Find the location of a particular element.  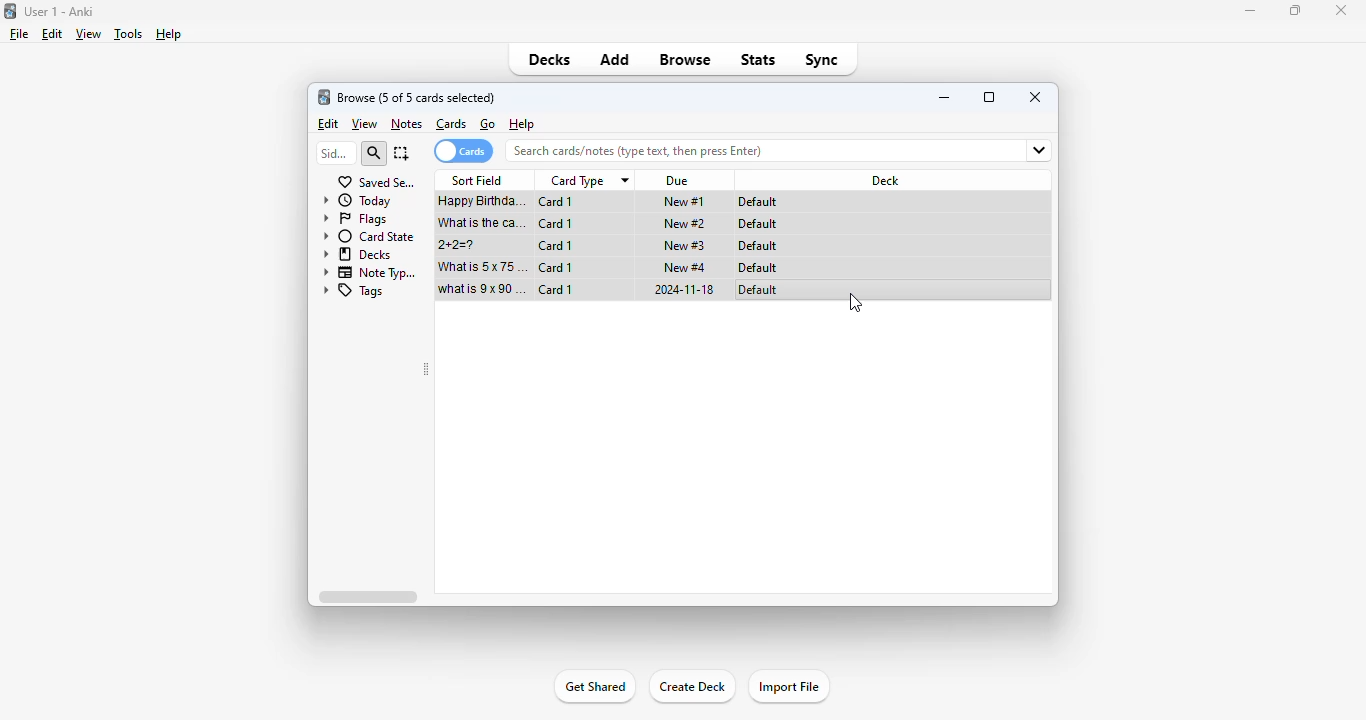

close is located at coordinates (1036, 96).